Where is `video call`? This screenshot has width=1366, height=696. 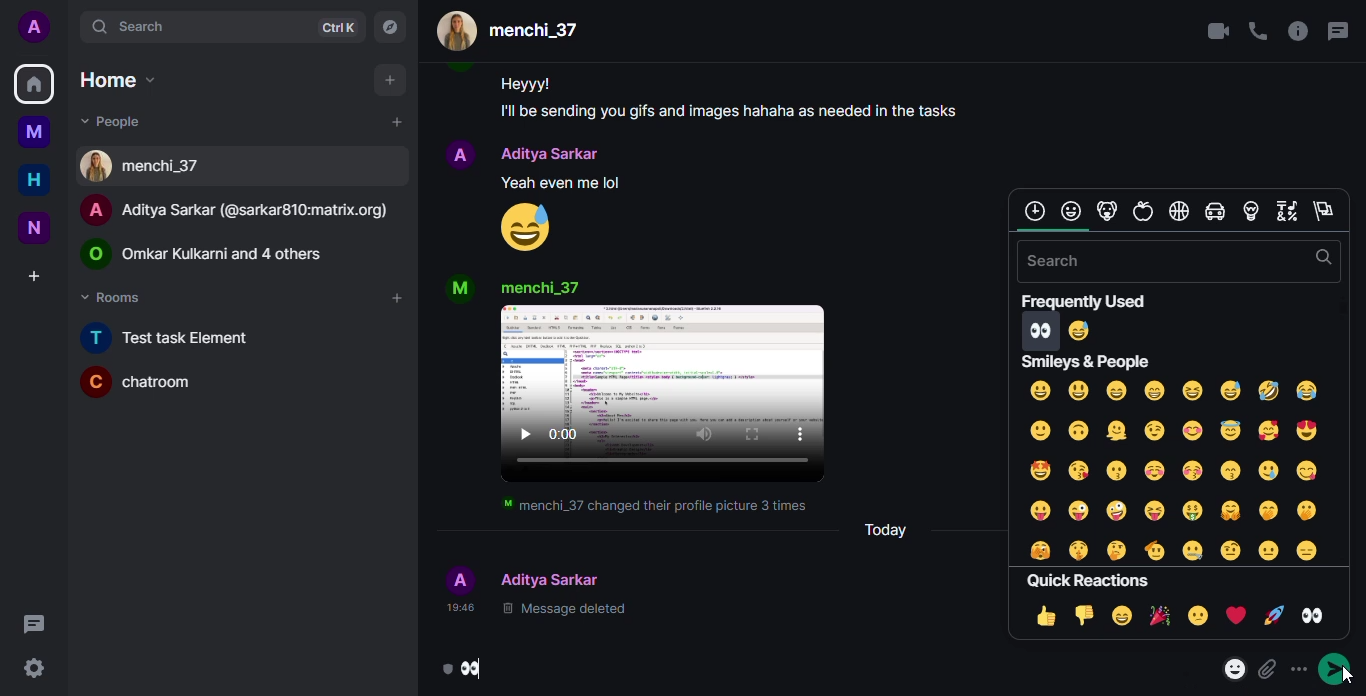 video call is located at coordinates (1210, 30).